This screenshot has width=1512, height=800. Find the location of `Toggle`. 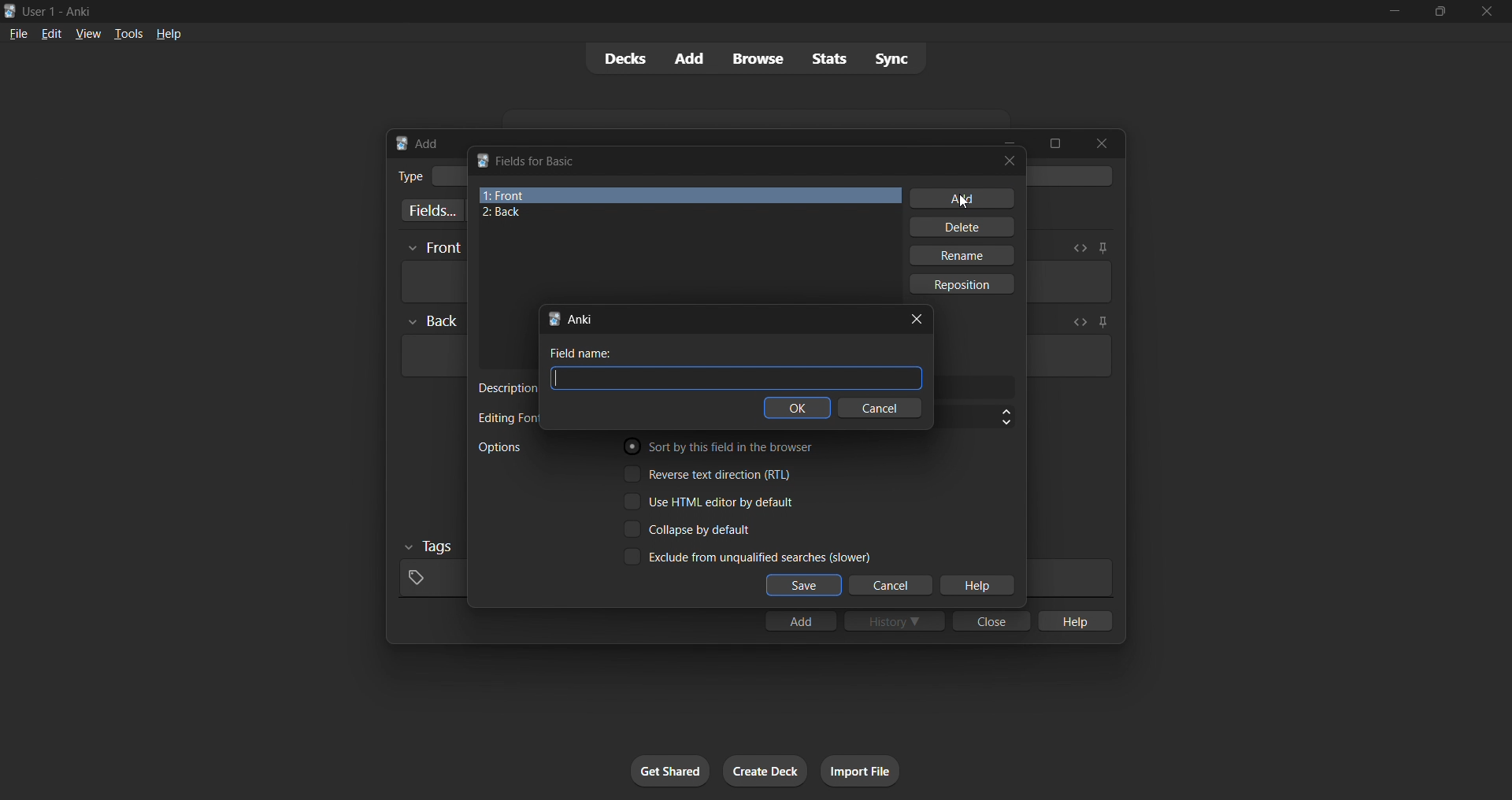

Toggle is located at coordinates (710, 473).